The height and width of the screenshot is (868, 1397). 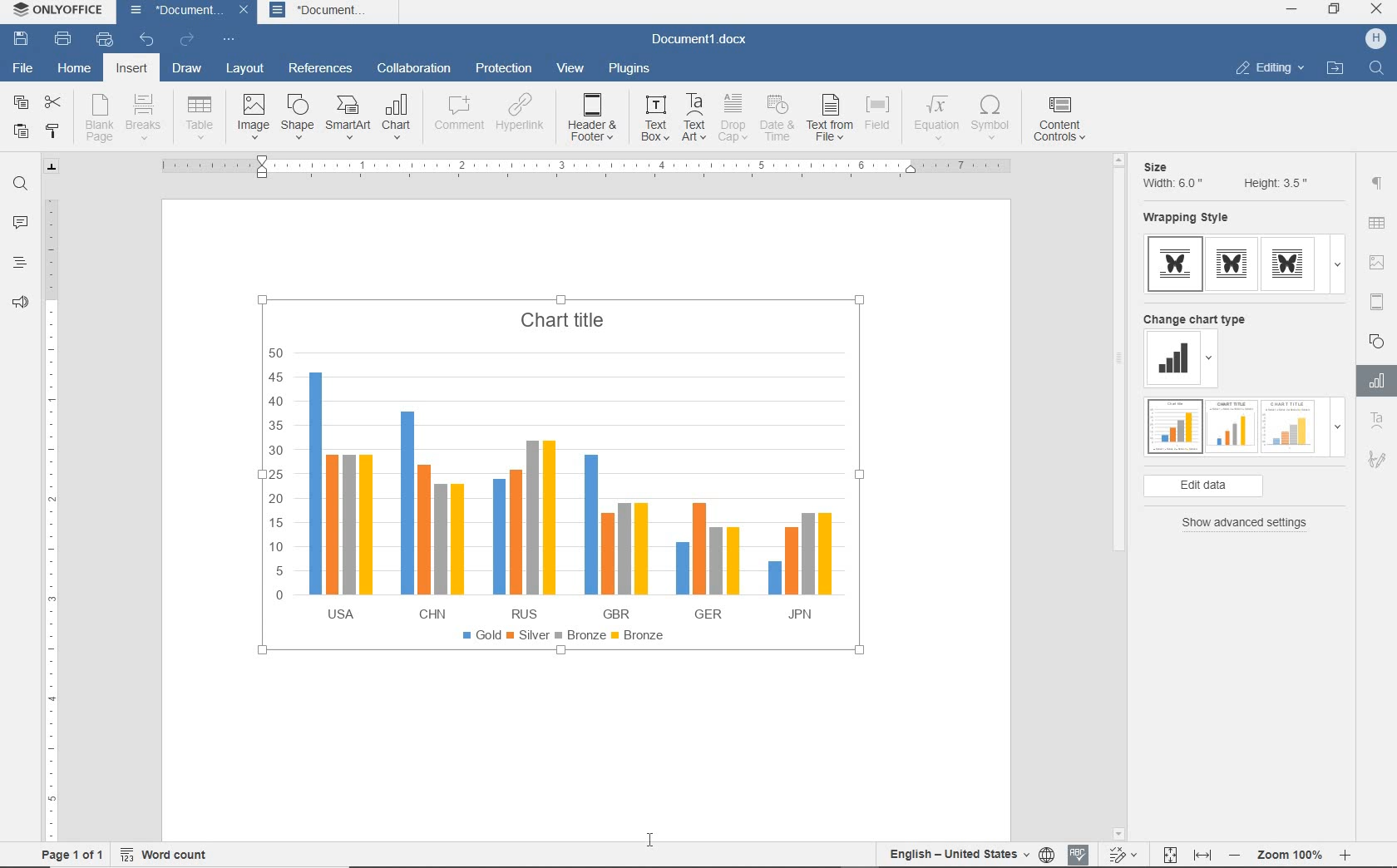 I want to click on tab stop, so click(x=52, y=166).